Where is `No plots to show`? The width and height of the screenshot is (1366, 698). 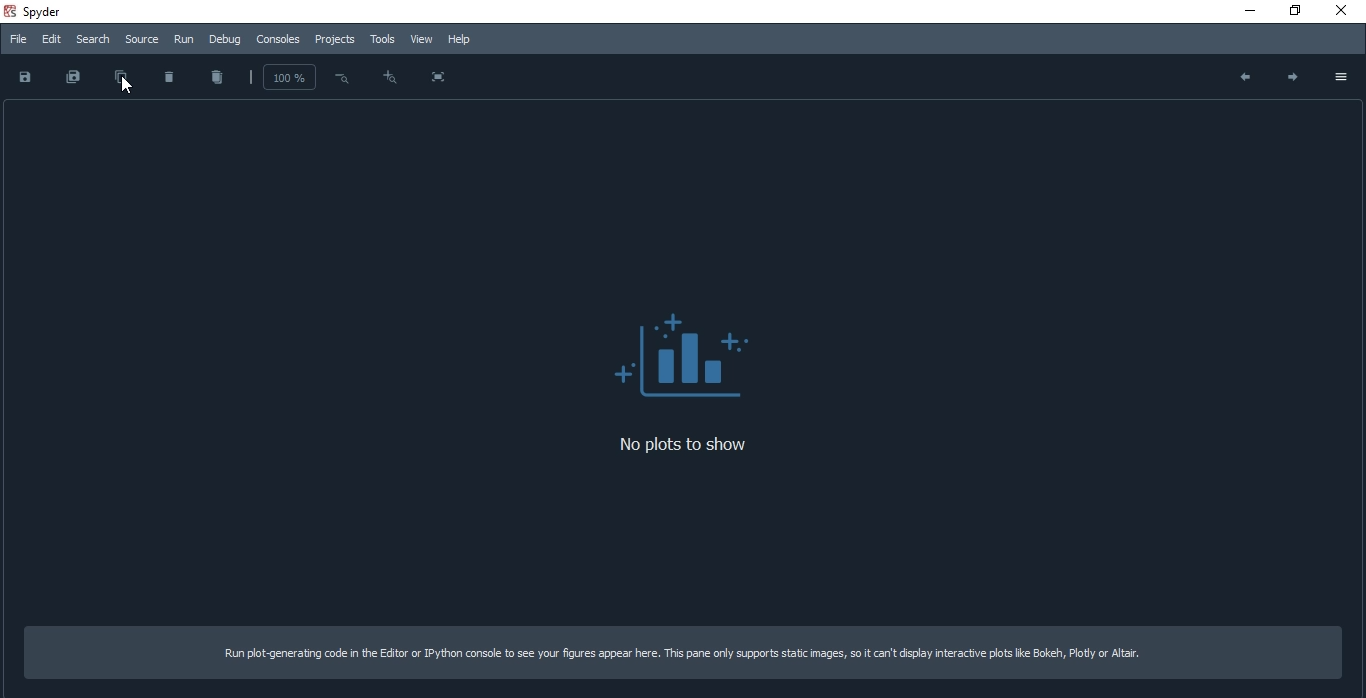
No plots to show is located at coordinates (684, 356).